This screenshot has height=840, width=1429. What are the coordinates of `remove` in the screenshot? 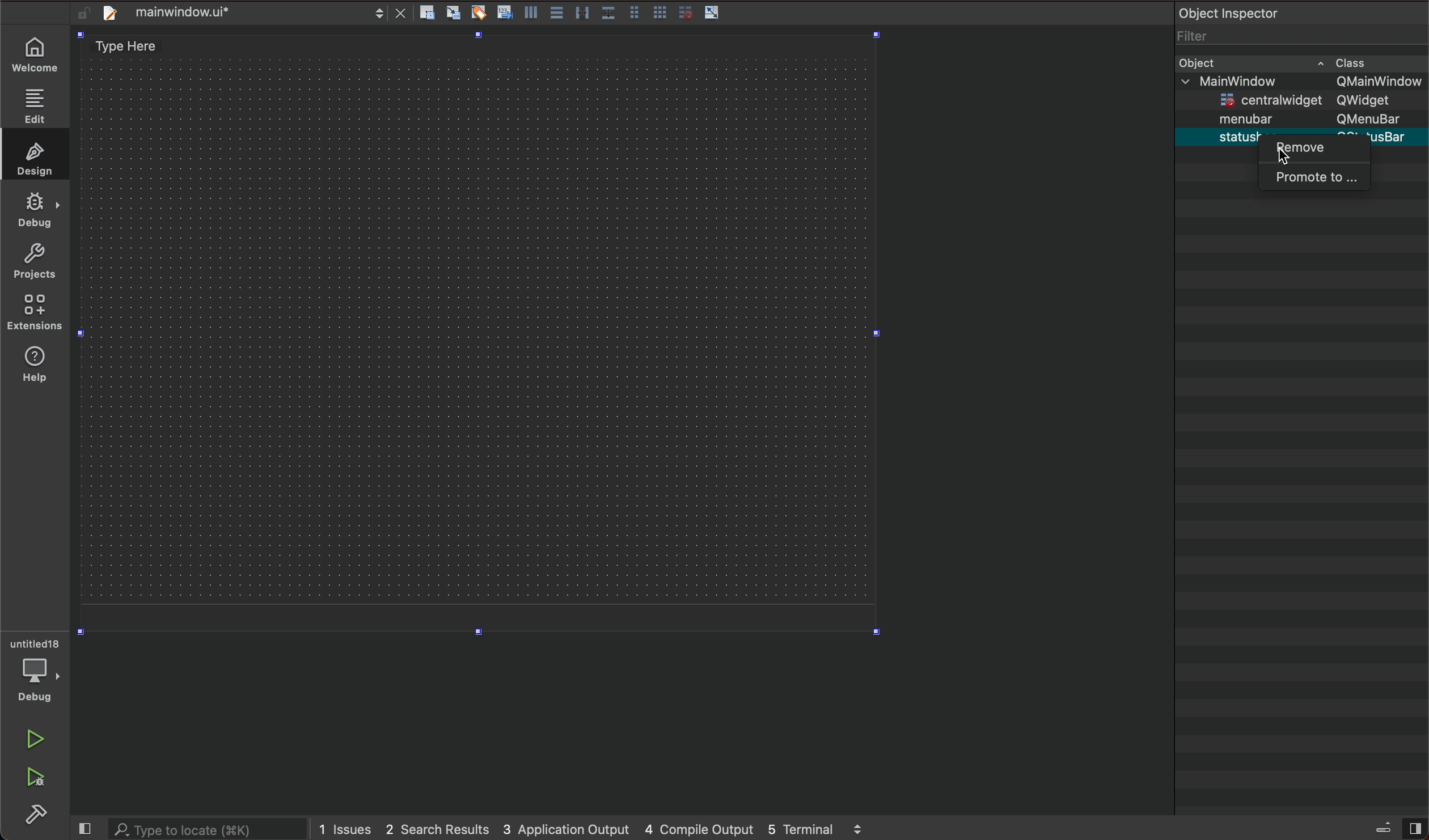 It's located at (1314, 153).